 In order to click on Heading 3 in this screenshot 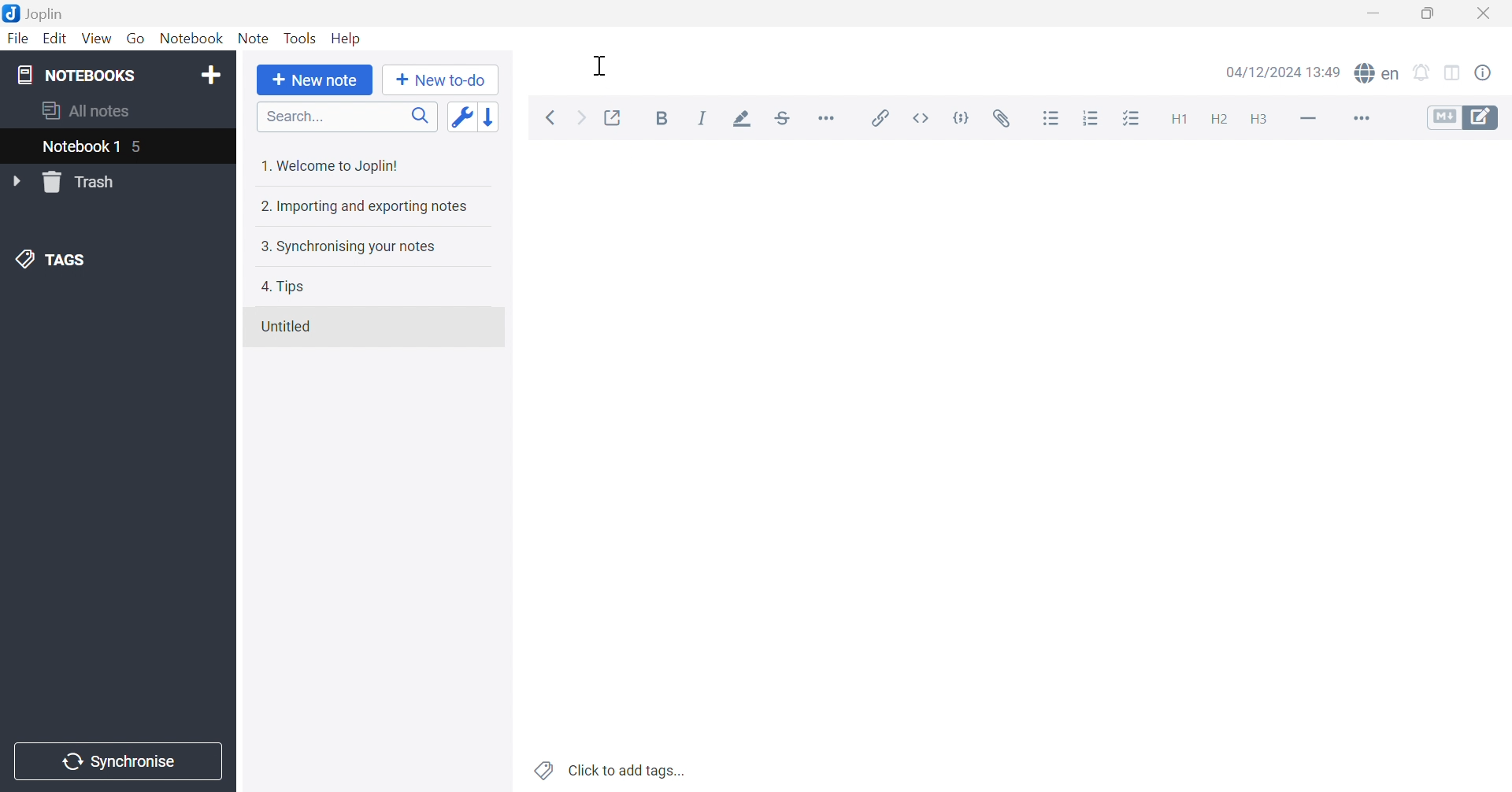, I will do `click(1260, 120)`.